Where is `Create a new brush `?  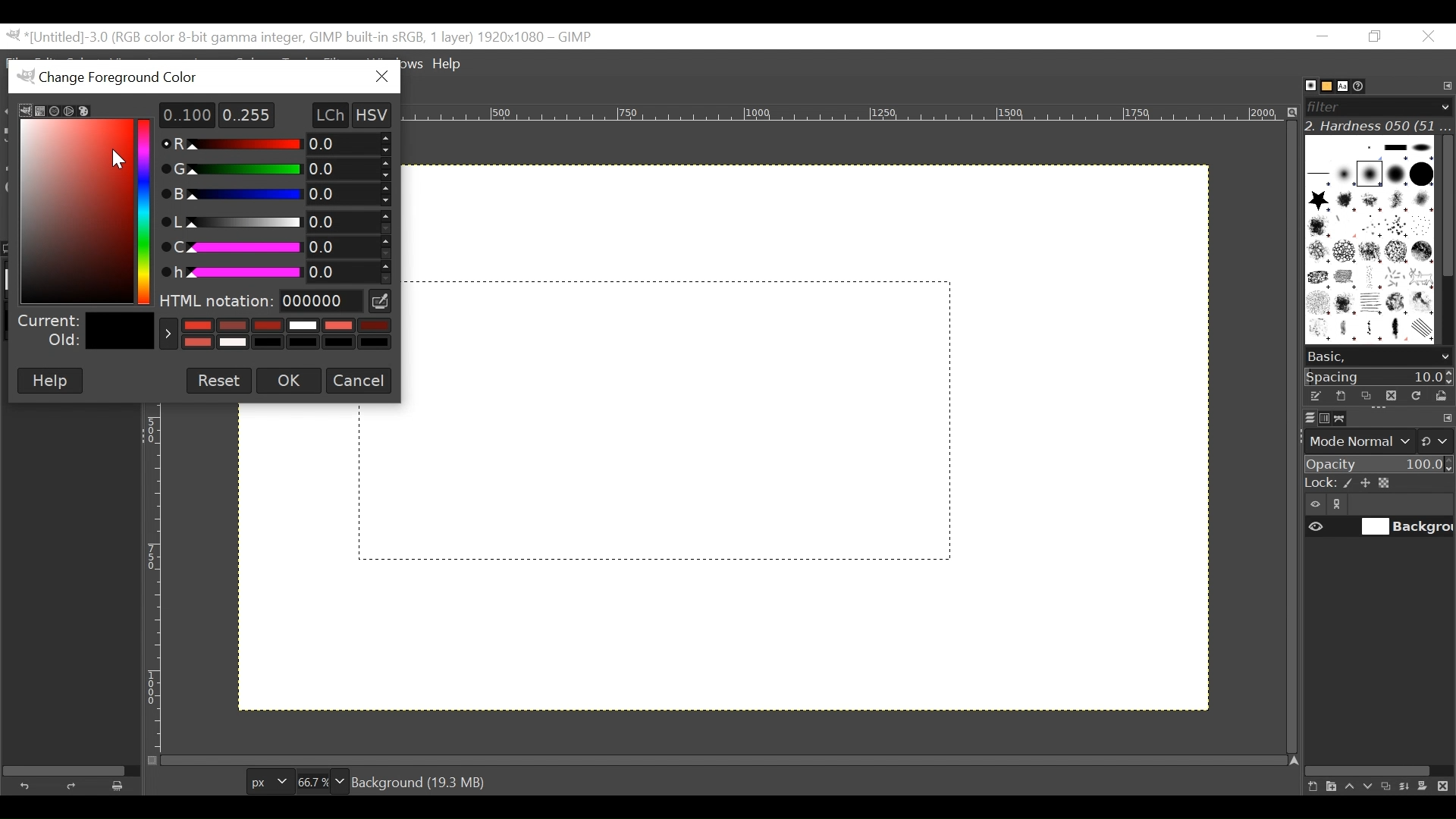 Create a new brush  is located at coordinates (1340, 396).